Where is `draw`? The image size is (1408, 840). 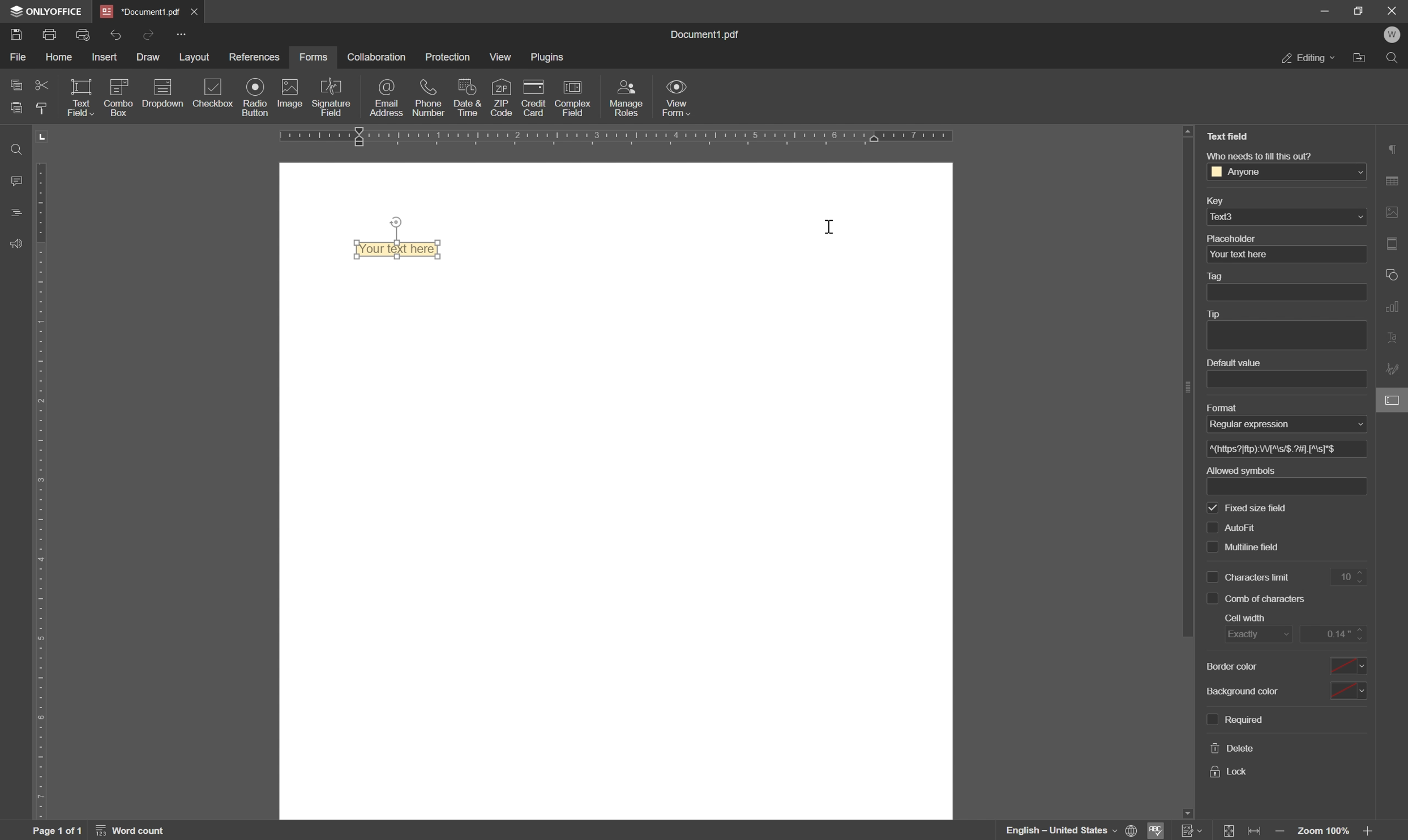
draw is located at coordinates (149, 59).